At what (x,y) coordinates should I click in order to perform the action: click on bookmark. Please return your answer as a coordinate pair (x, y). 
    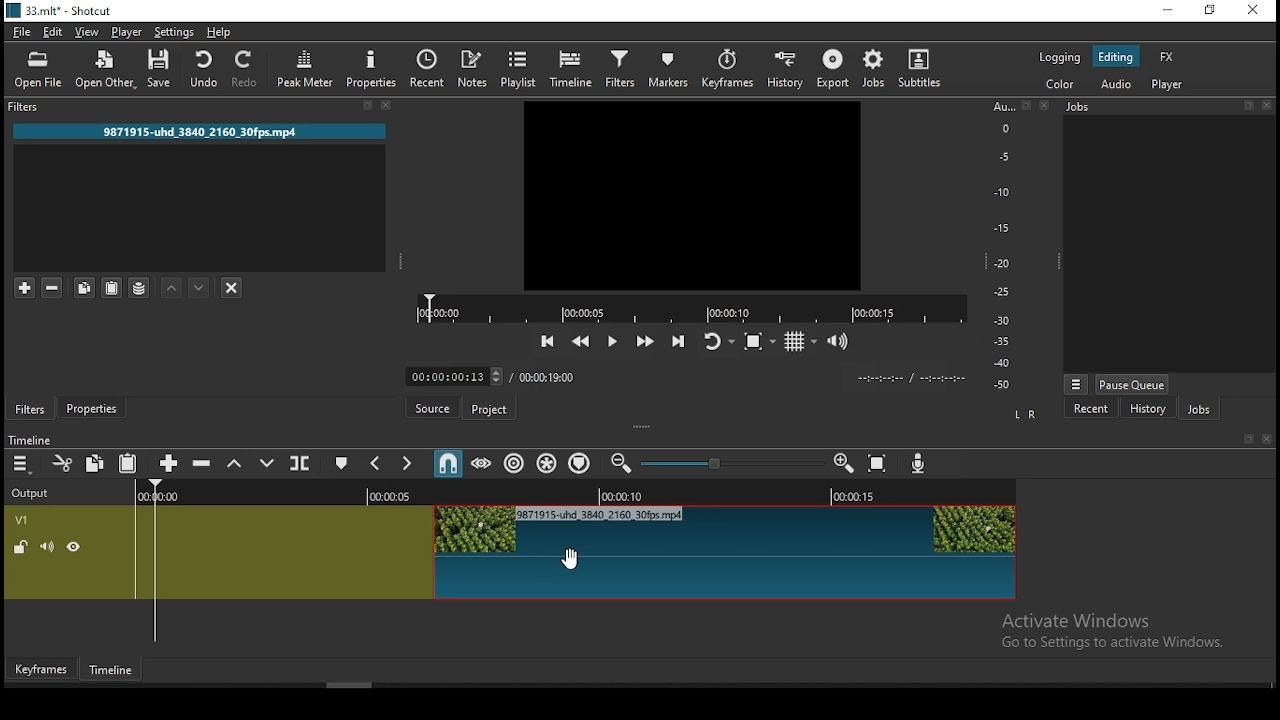
    Looking at the image, I should click on (1024, 106).